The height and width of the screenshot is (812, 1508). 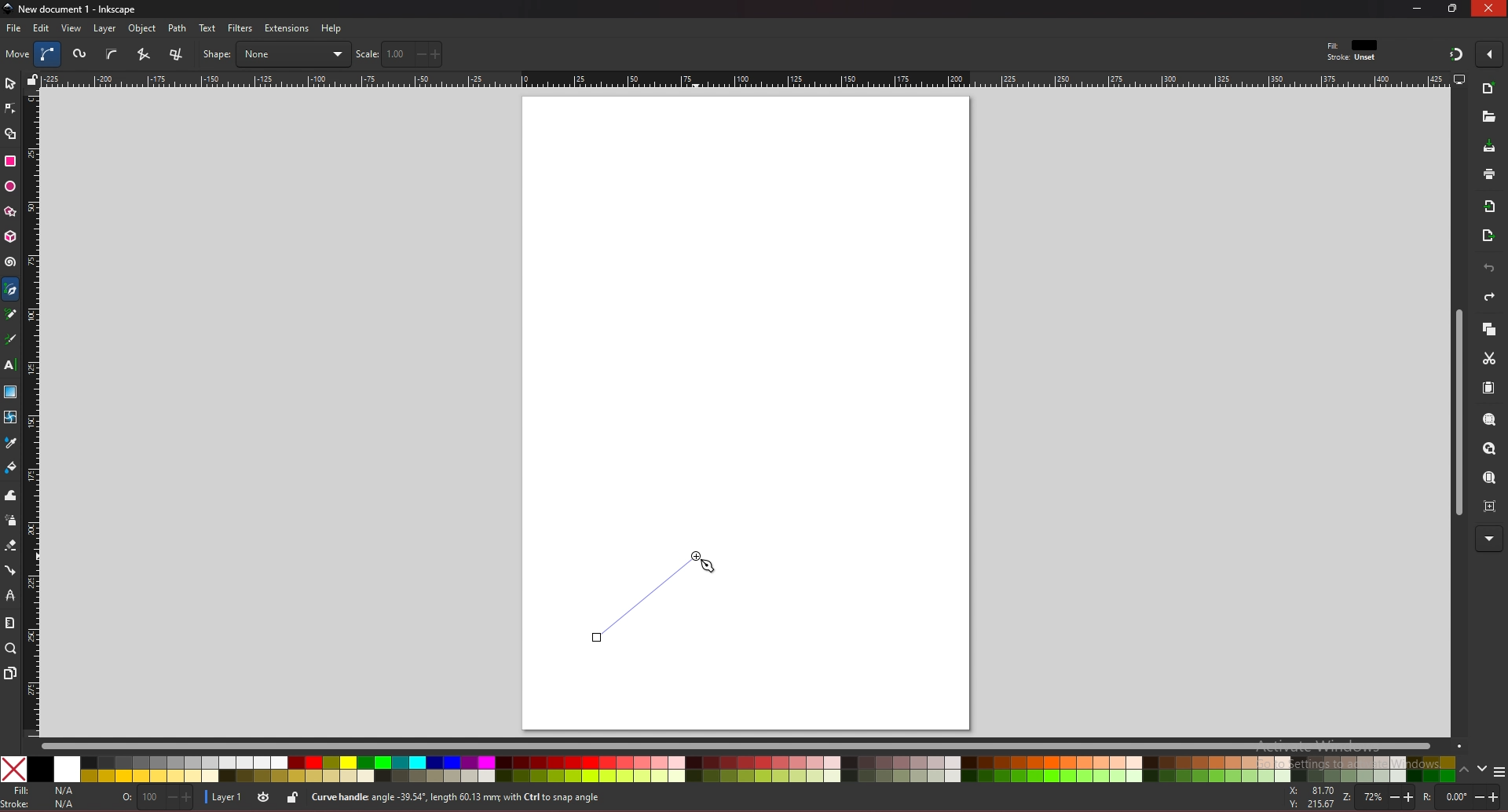 What do you see at coordinates (1488, 330) in the screenshot?
I see `copy` at bounding box center [1488, 330].